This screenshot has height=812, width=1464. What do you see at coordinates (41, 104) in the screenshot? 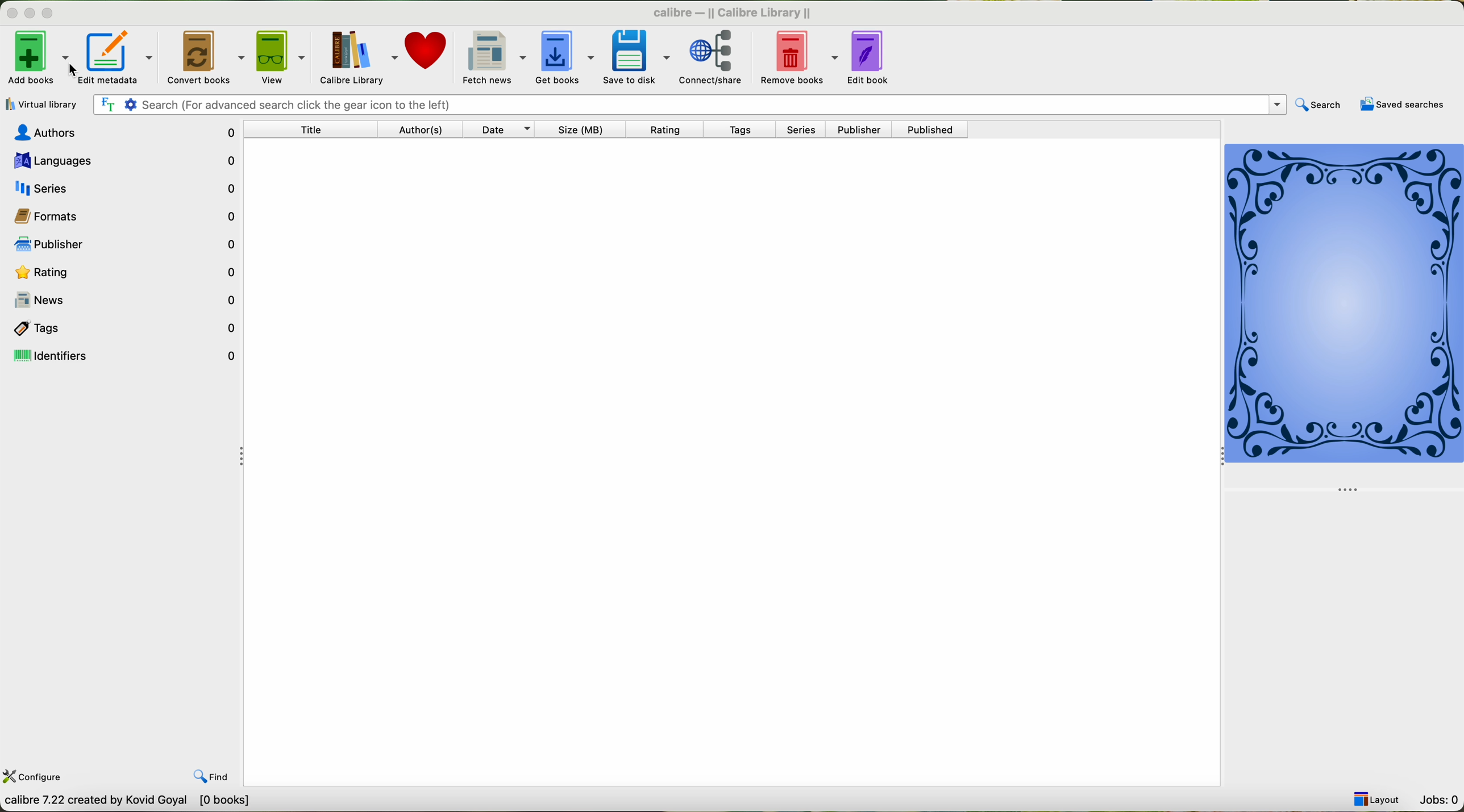
I see `virtual library` at bounding box center [41, 104].